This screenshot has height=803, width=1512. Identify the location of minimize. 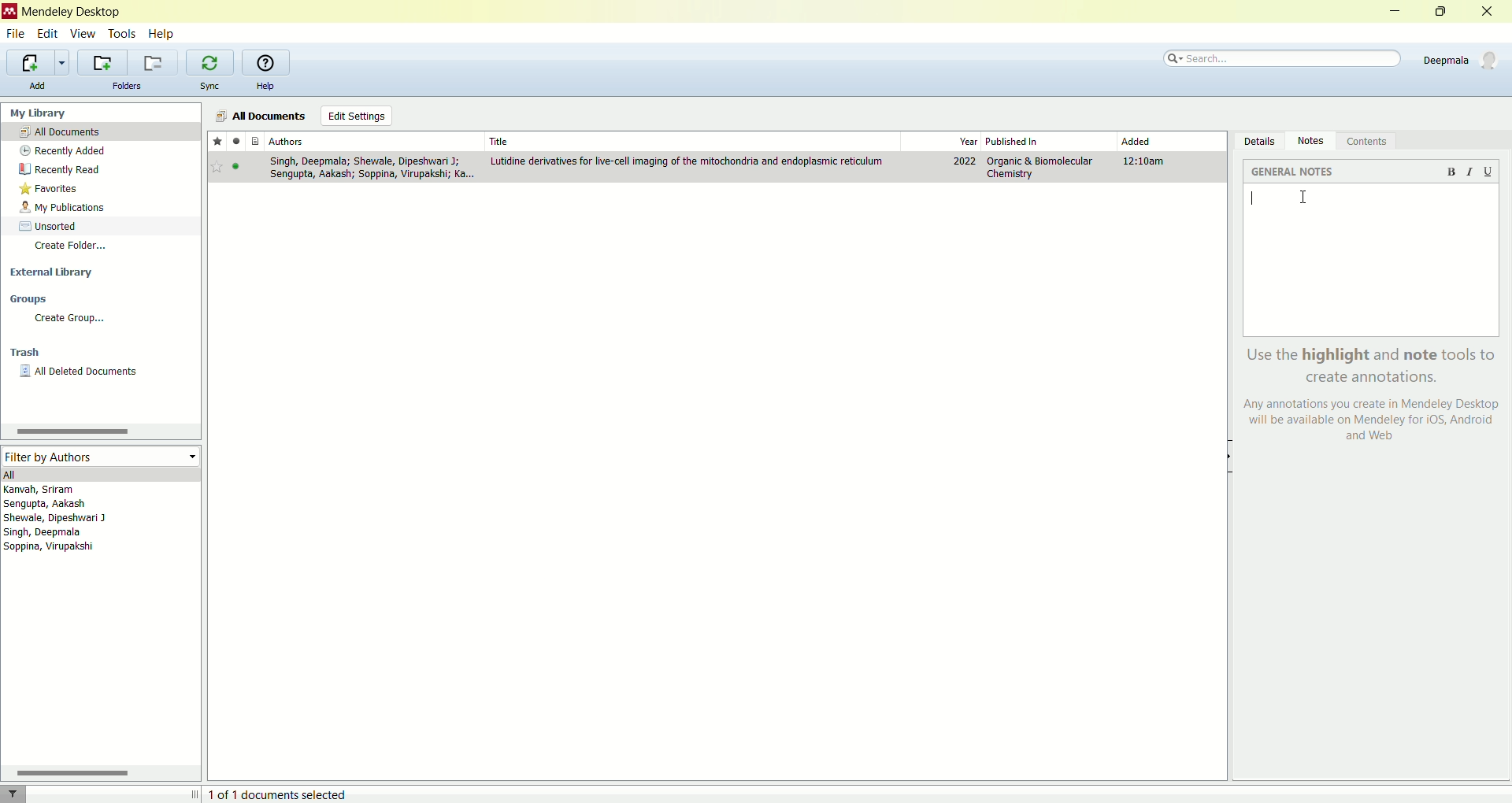
(1397, 11).